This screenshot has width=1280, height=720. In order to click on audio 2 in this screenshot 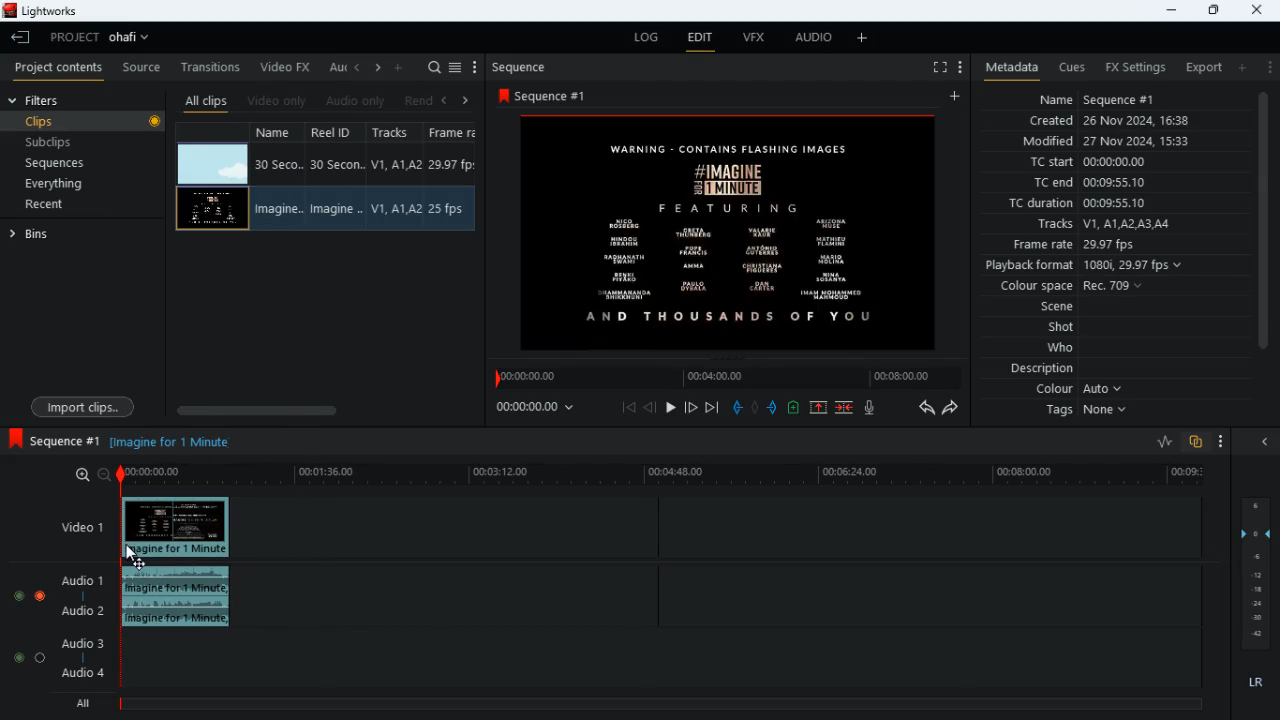, I will do `click(83, 613)`.